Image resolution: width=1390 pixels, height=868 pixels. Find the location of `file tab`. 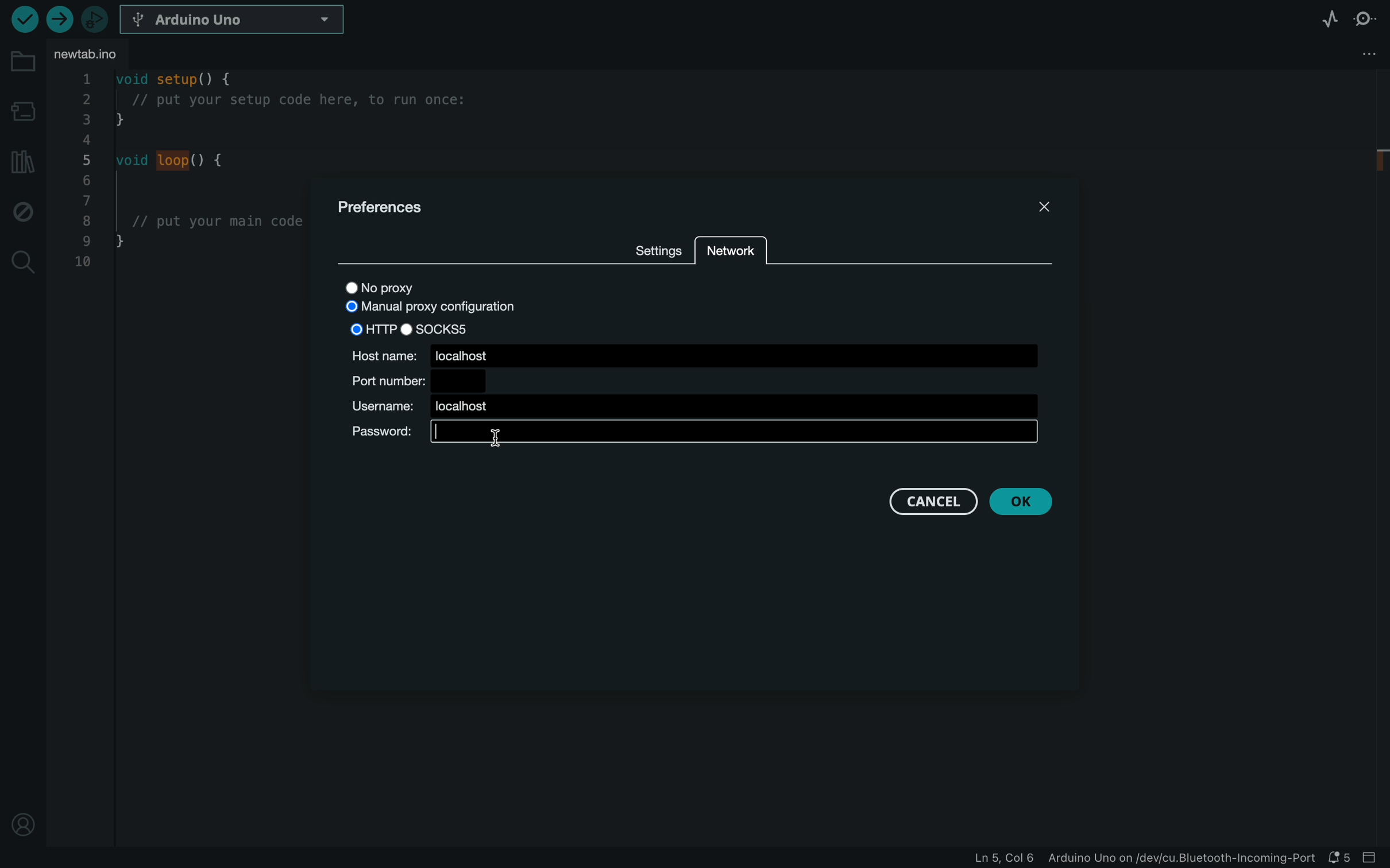

file tab is located at coordinates (93, 56).